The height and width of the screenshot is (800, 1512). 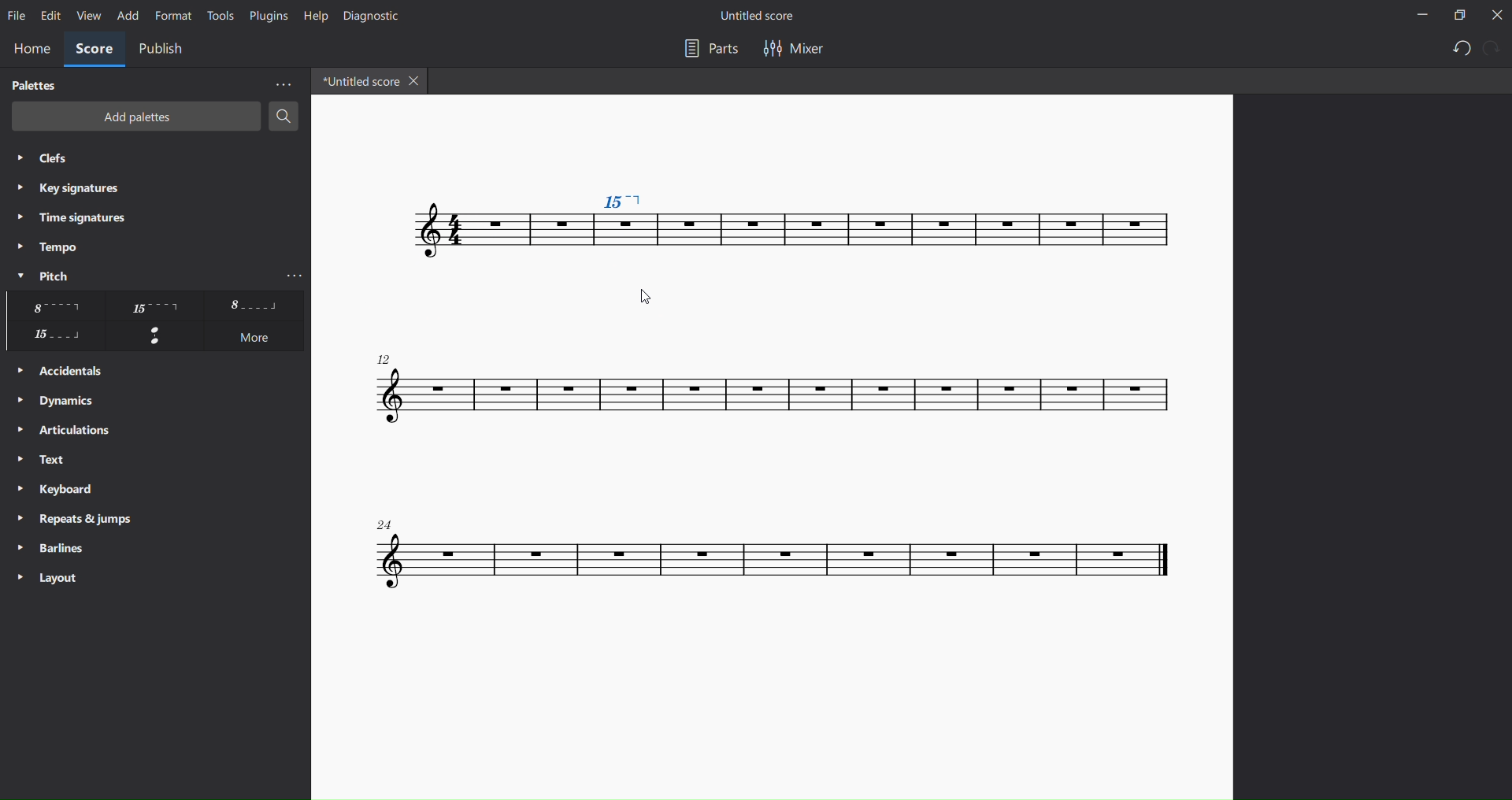 What do you see at coordinates (92, 50) in the screenshot?
I see `score` at bounding box center [92, 50].